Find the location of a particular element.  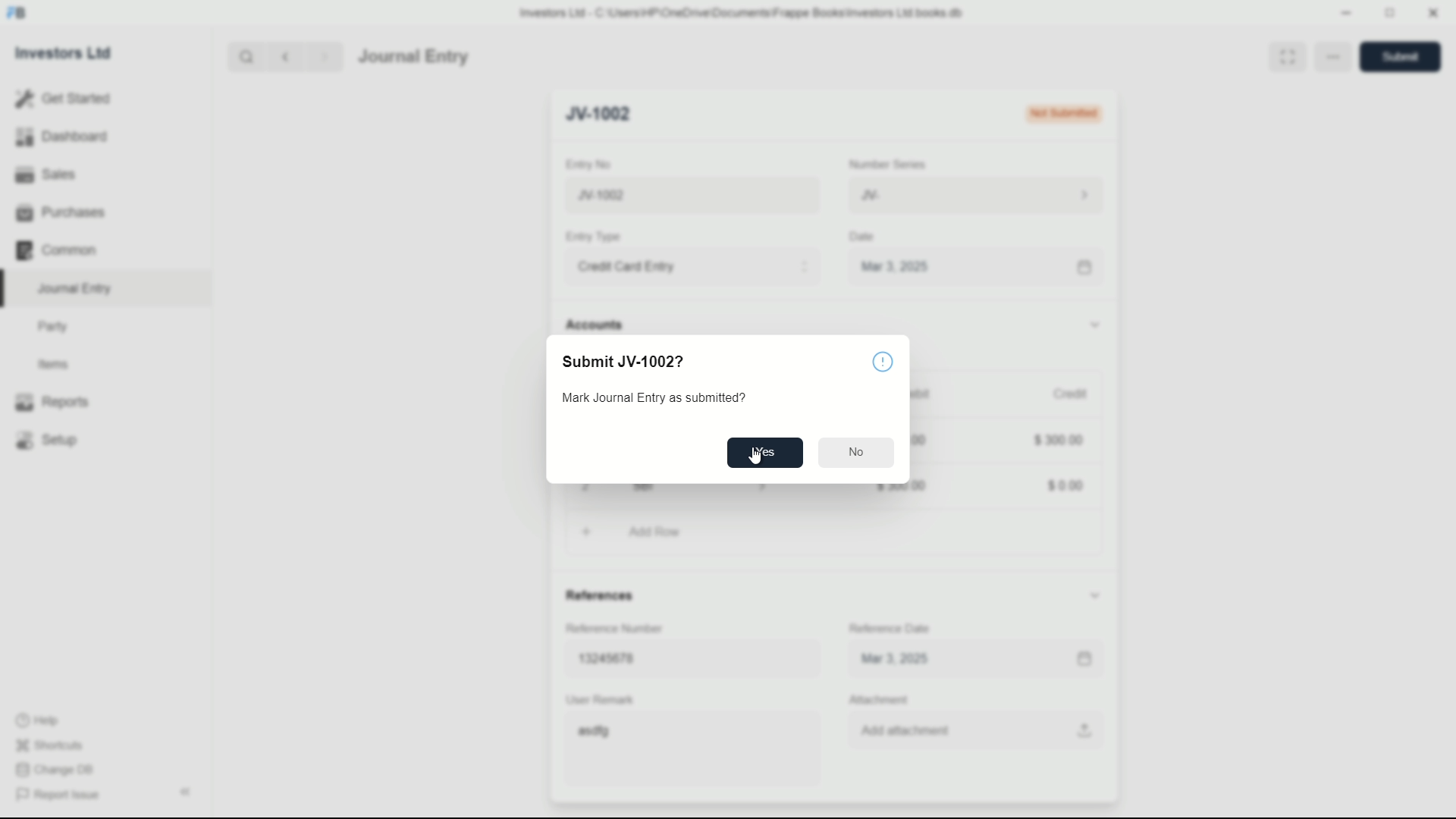

info icon is located at coordinates (883, 362).